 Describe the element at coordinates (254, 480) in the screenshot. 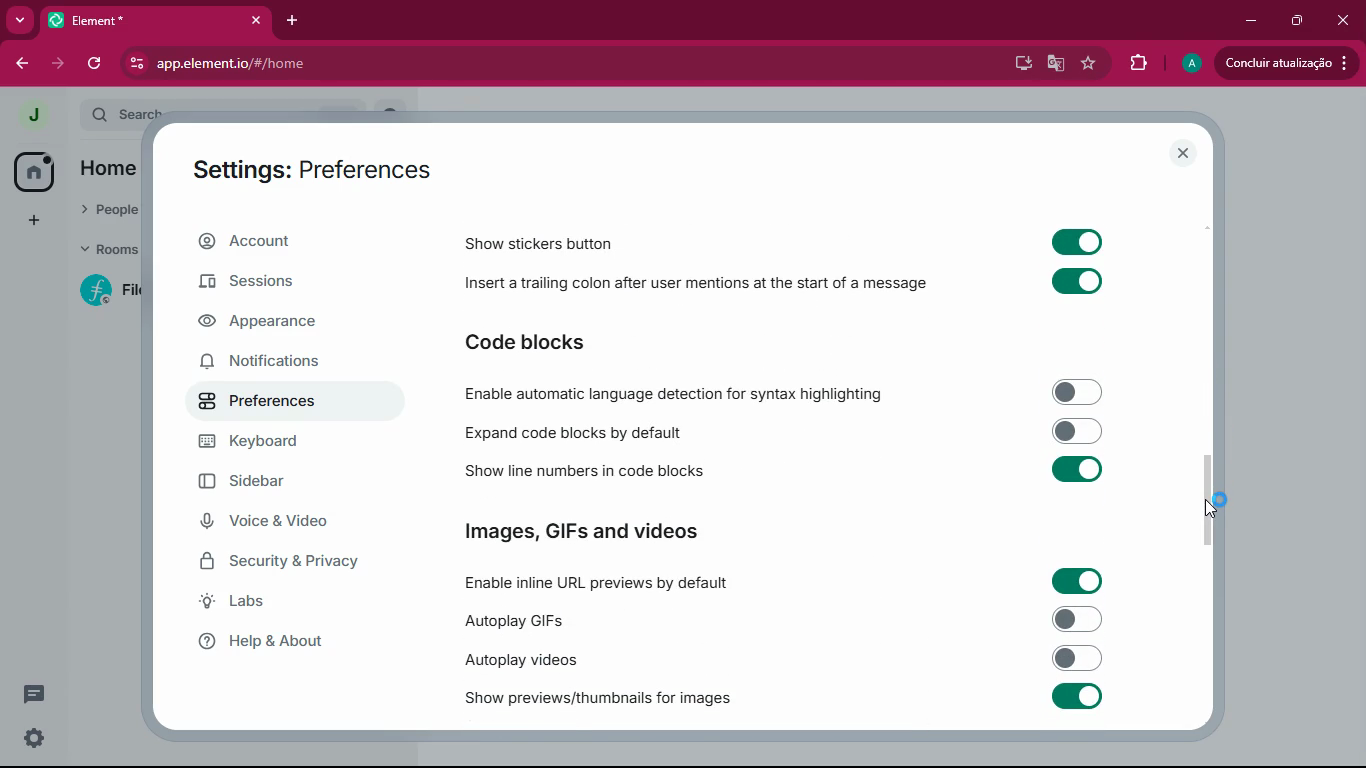

I see `Sidebar` at that location.